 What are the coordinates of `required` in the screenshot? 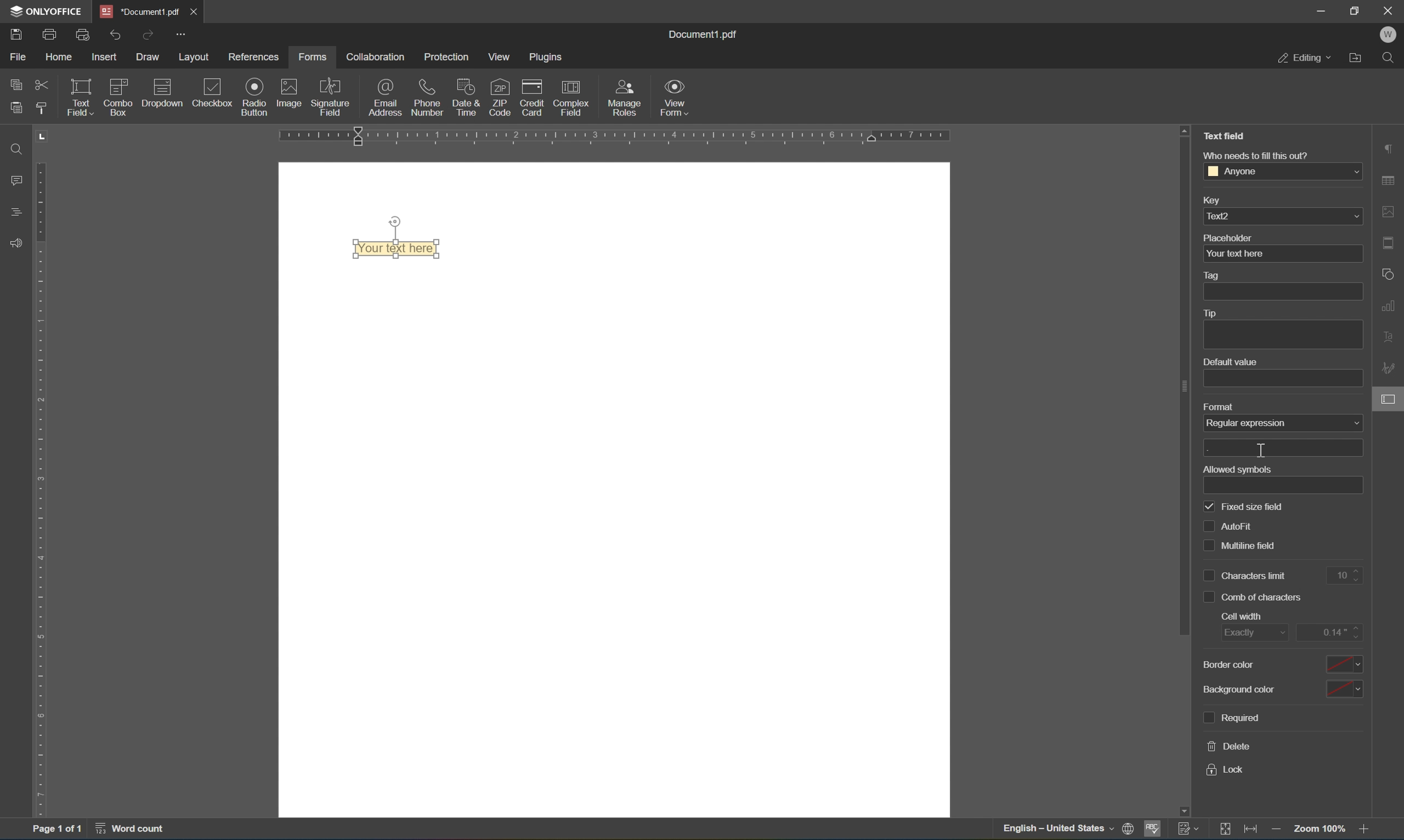 It's located at (1236, 719).